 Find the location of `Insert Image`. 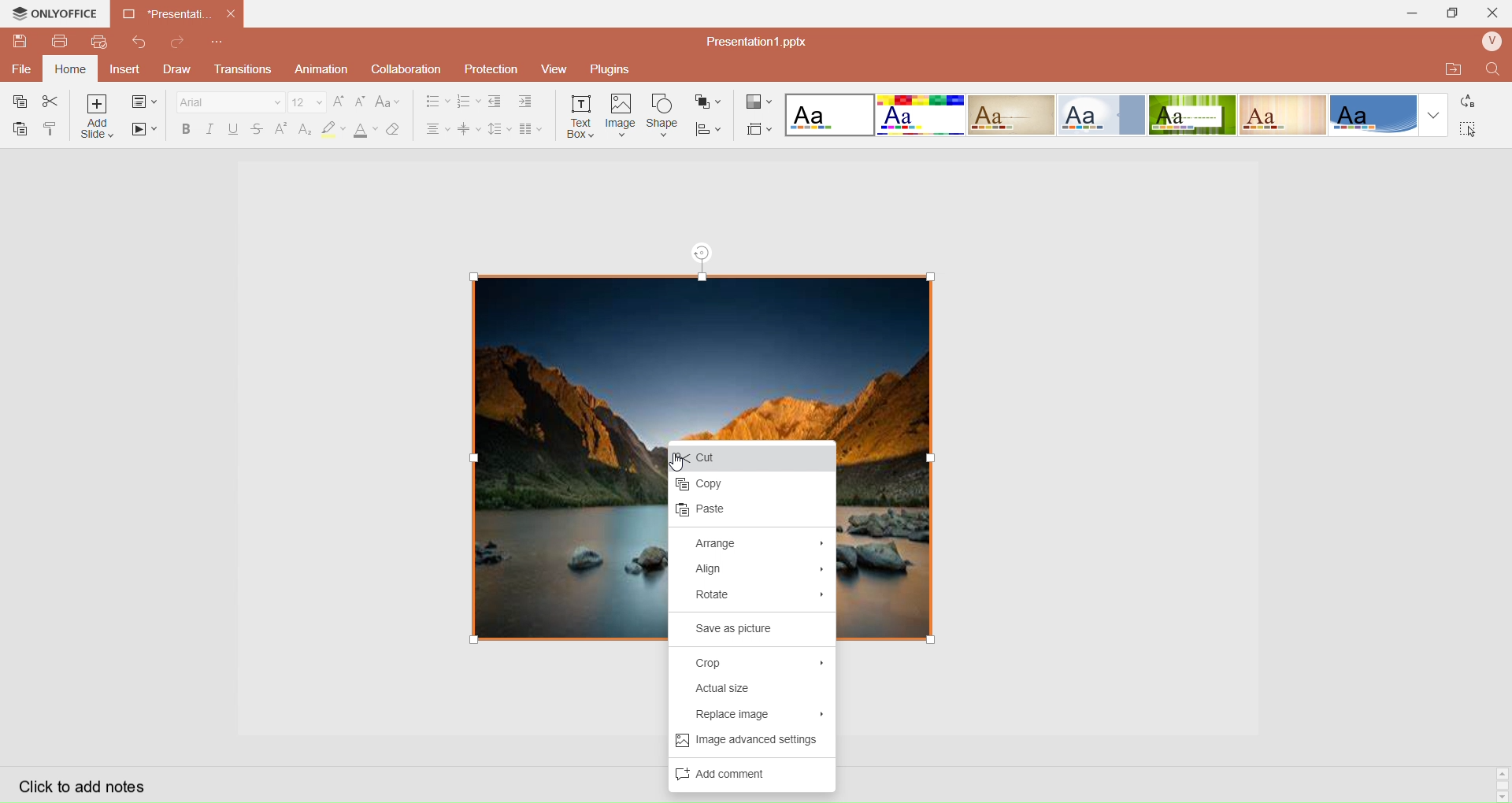

Insert Image is located at coordinates (621, 117).